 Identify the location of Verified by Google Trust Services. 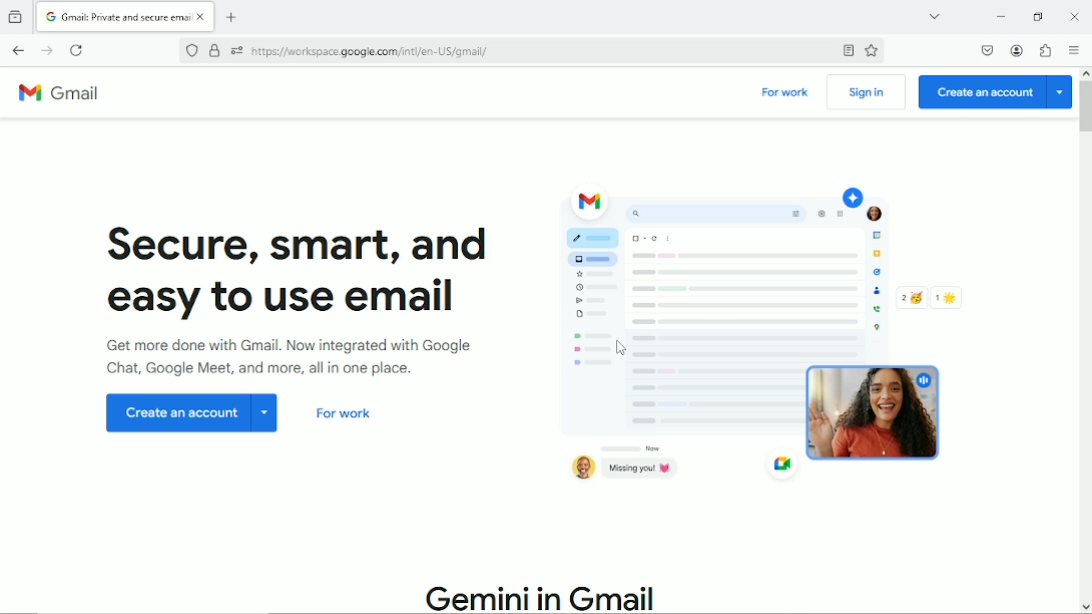
(215, 52).